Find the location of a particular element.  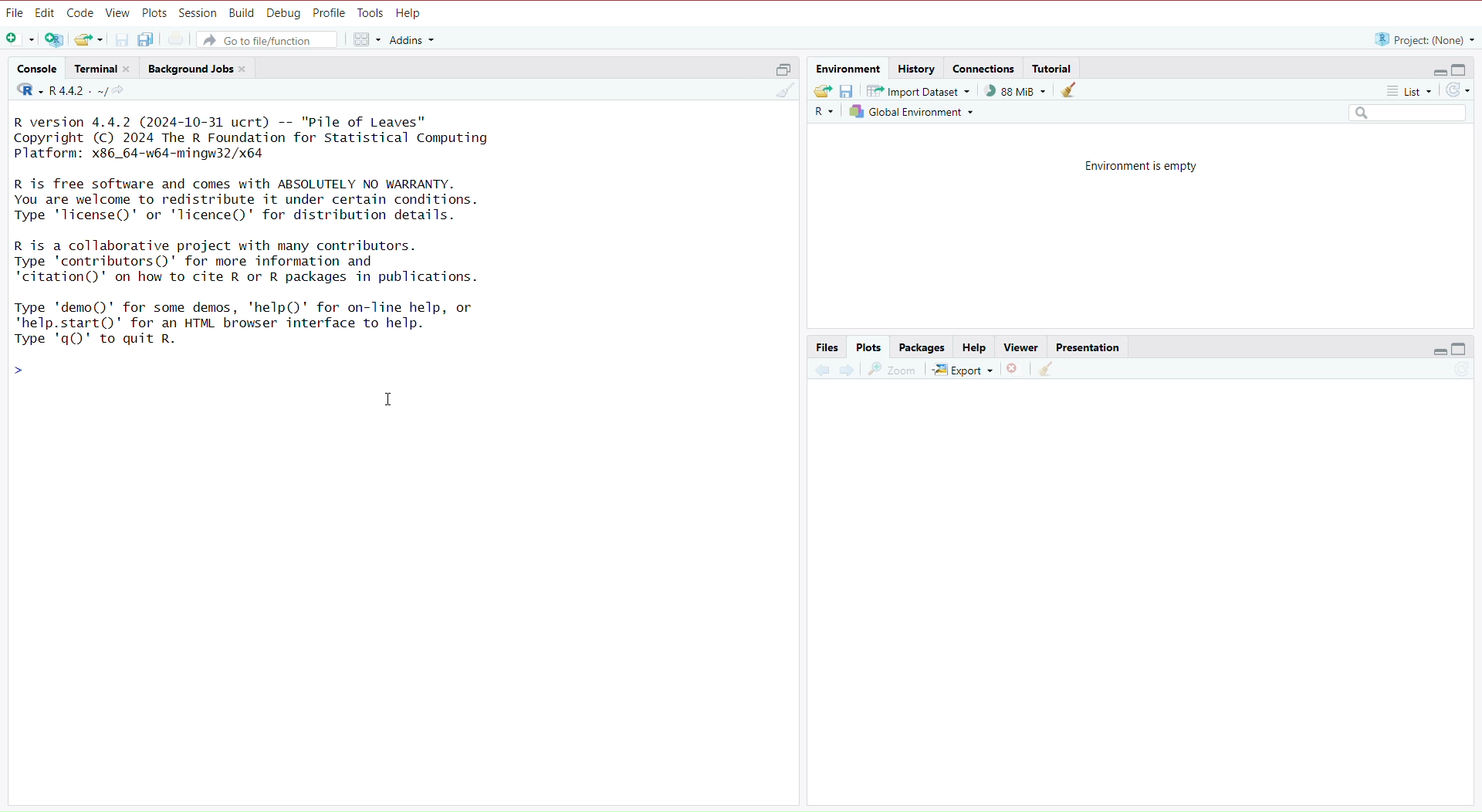

background jobs is located at coordinates (200, 70).